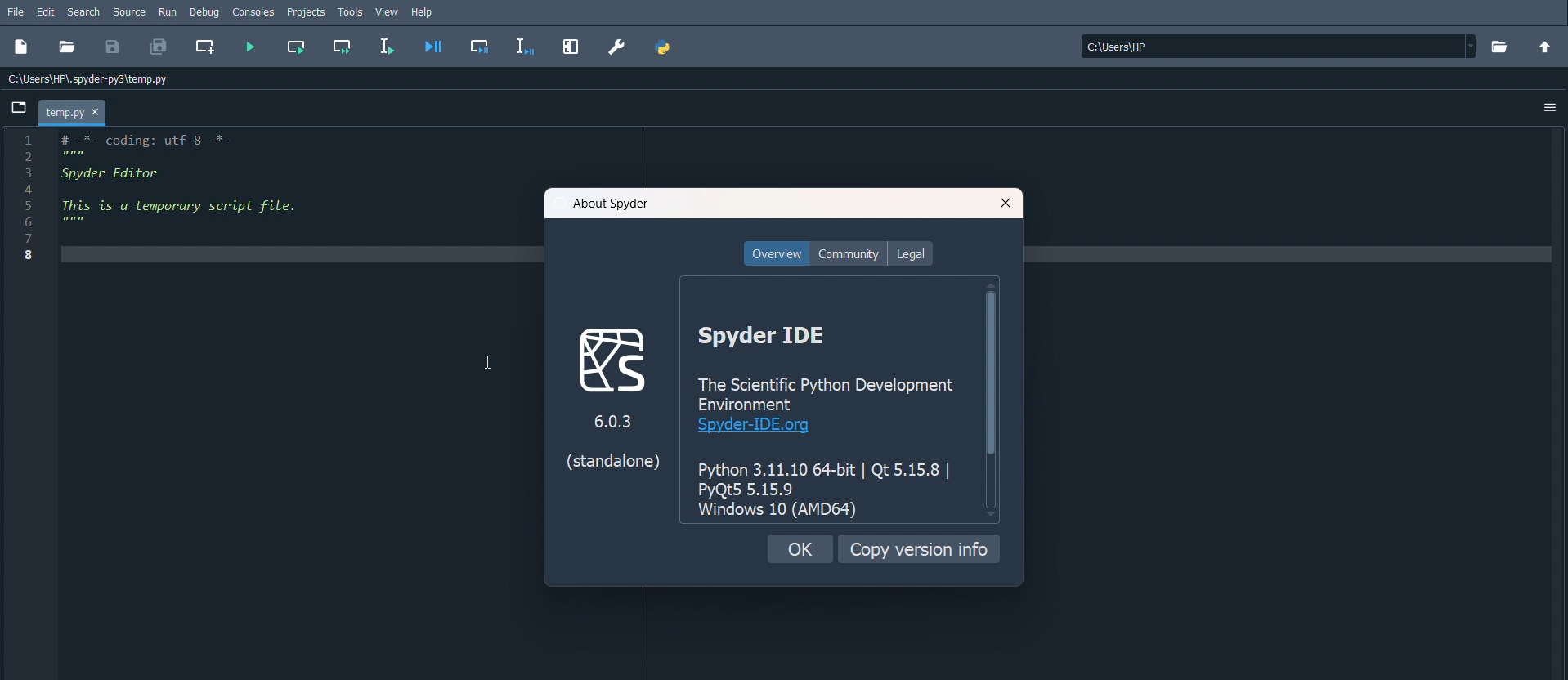 The width and height of the screenshot is (1568, 680). What do you see at coordinates (351, 11) in the screenshot?
I see `Tools` at bounding box center [351, 11].